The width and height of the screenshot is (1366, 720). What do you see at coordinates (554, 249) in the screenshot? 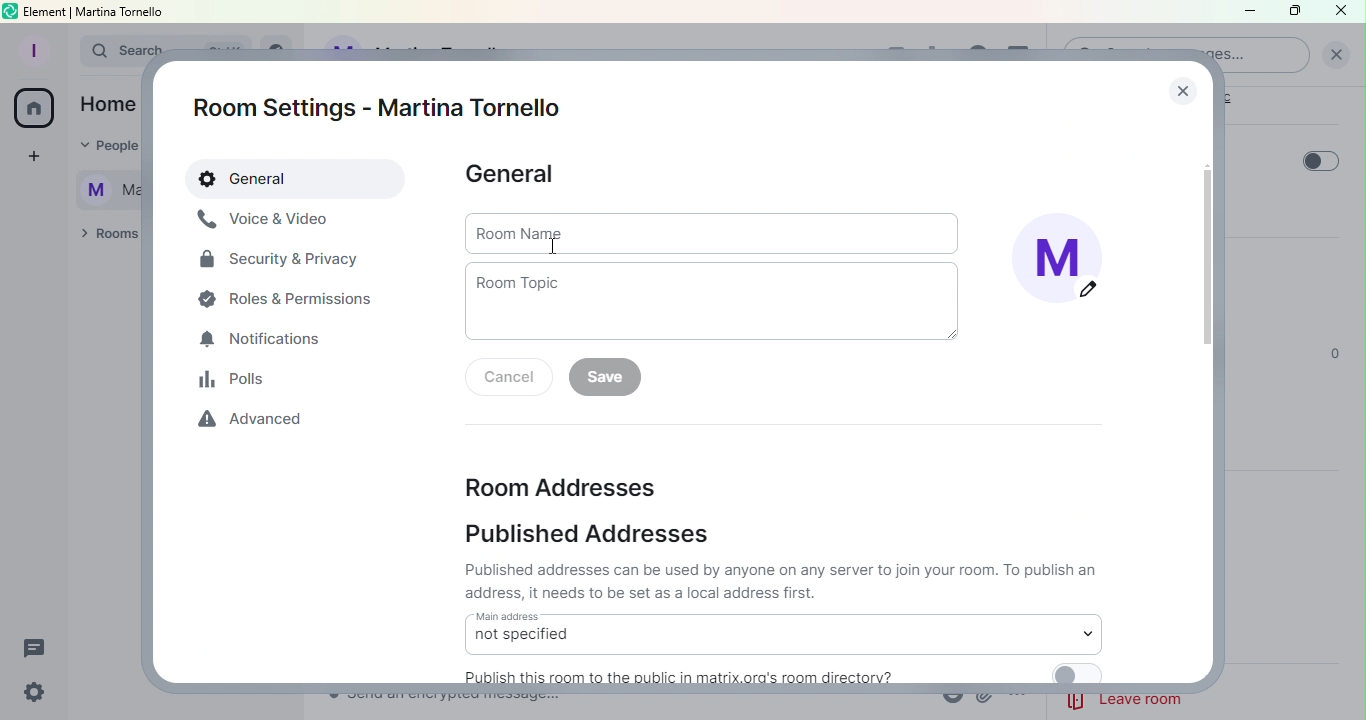
I see `cursor` at bounding box center [554, 249].